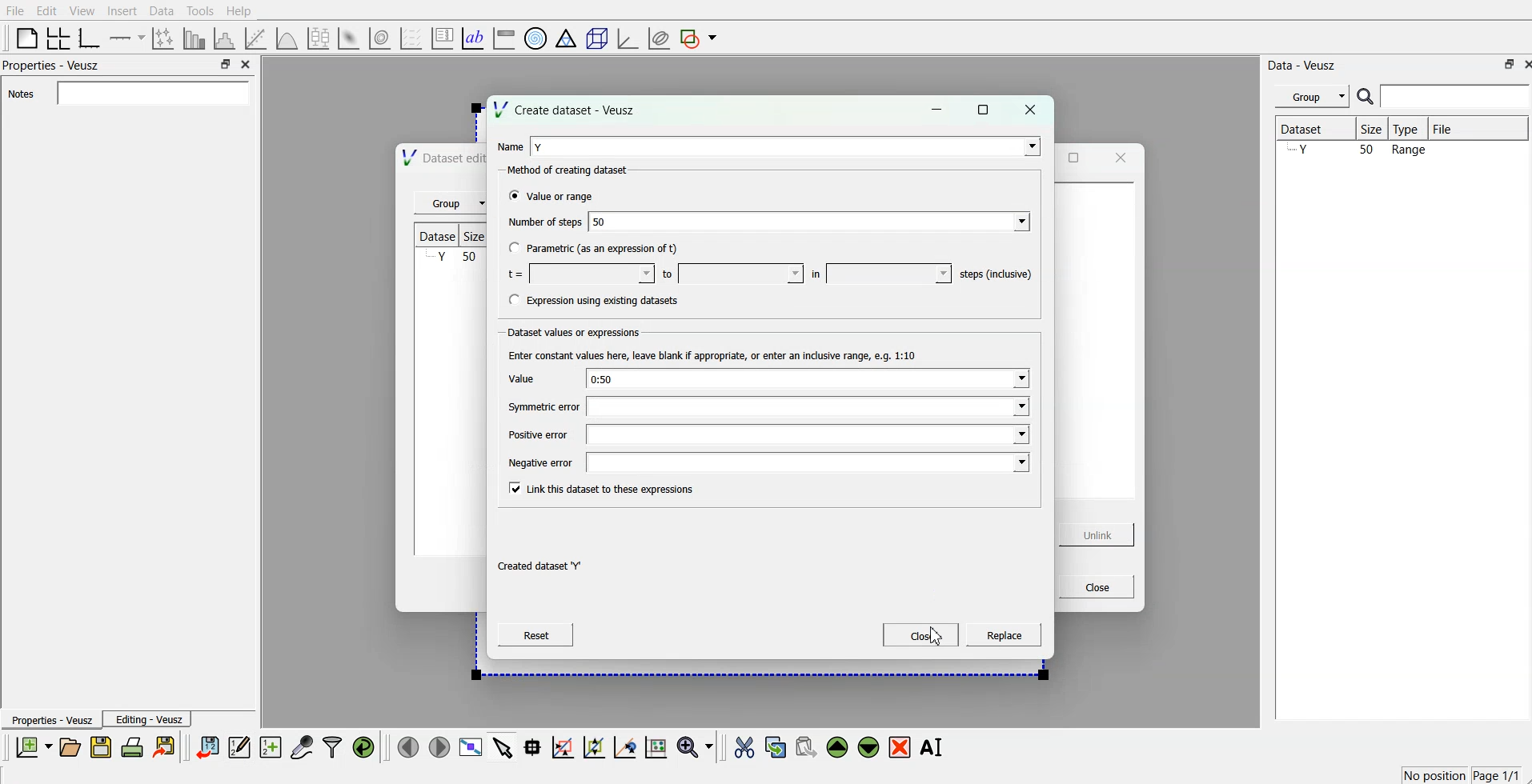 The image size is (1532, 784). I want to click on Parametric (as an expression of t), so click(605, 246).